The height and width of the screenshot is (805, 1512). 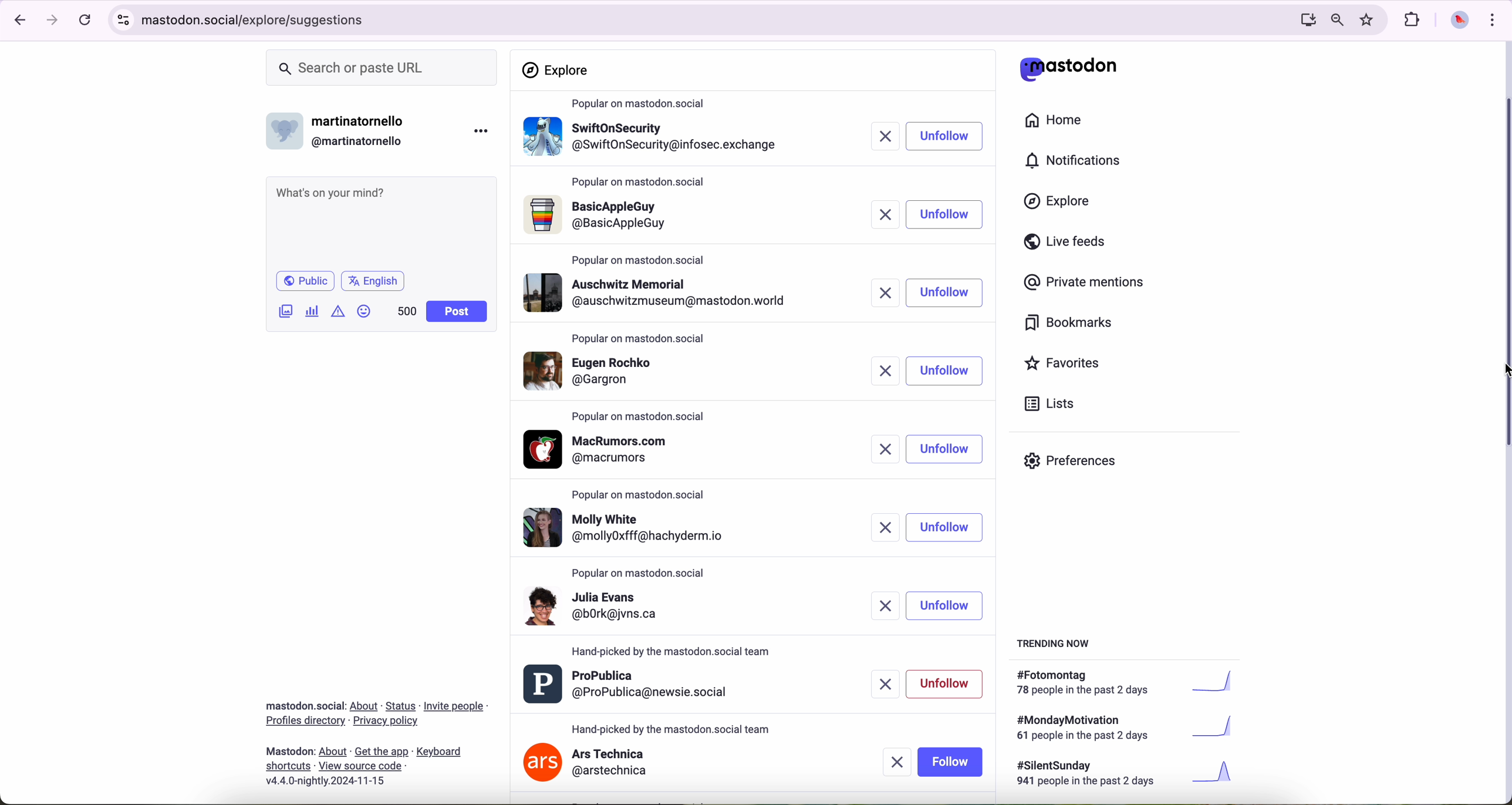 What do you see at coordinates (1456, 21) in the screenshot?
I see `profile picture` at bounding box center [1456, 21].